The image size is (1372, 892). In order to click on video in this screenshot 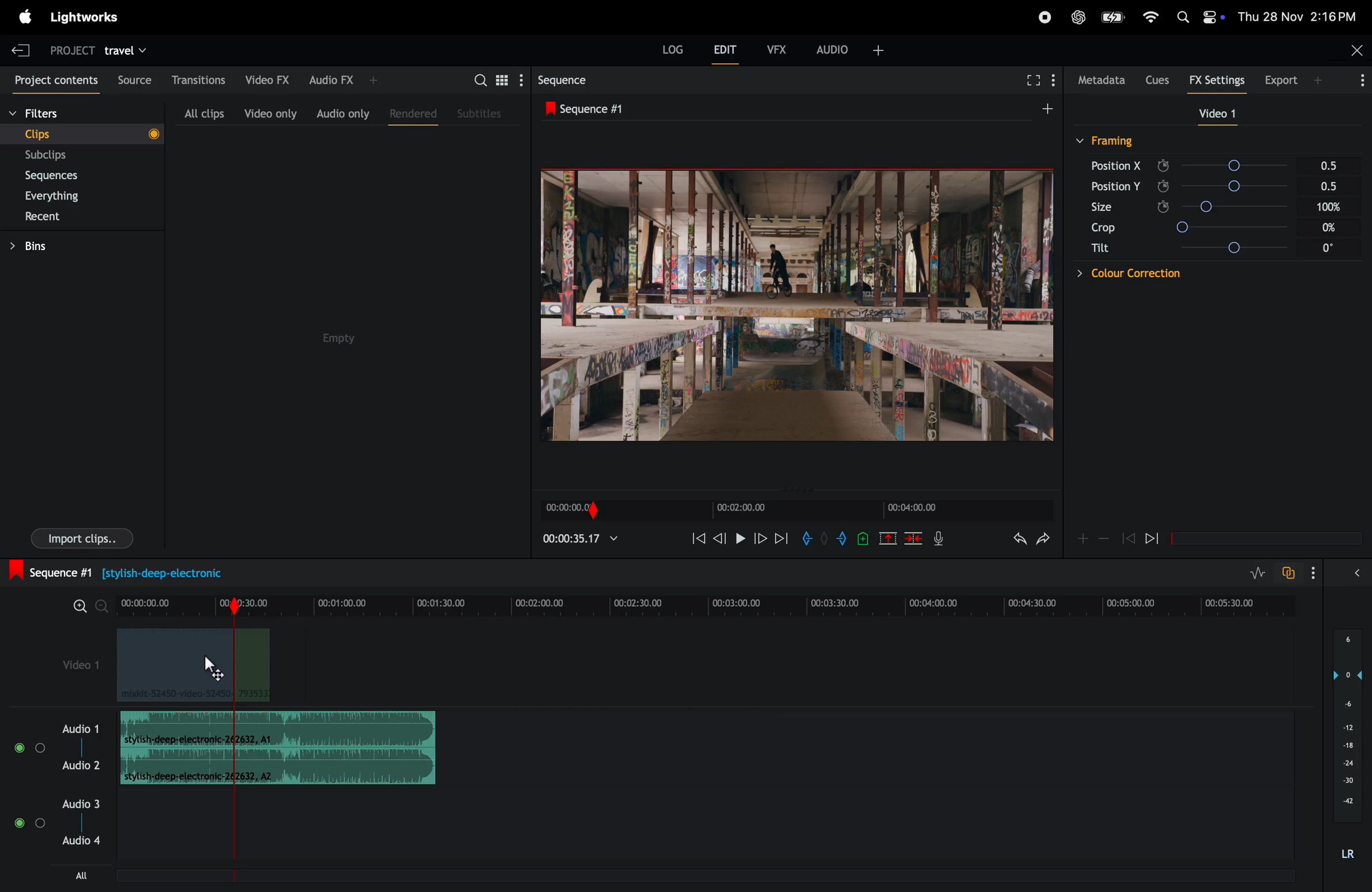, I will do `click(1212, 114)`.